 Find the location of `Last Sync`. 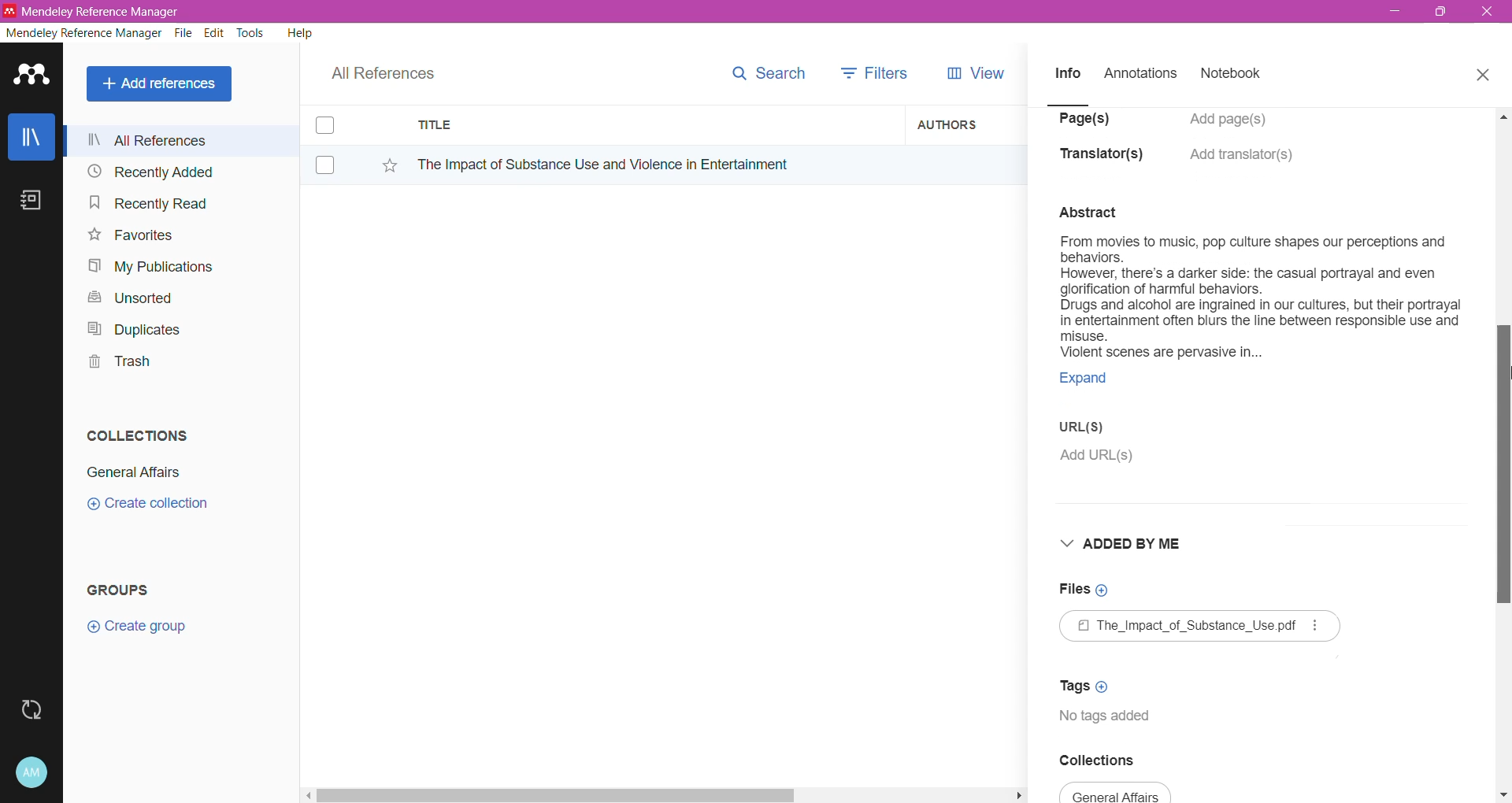

Last Sync is located at coordinates (38, 708).